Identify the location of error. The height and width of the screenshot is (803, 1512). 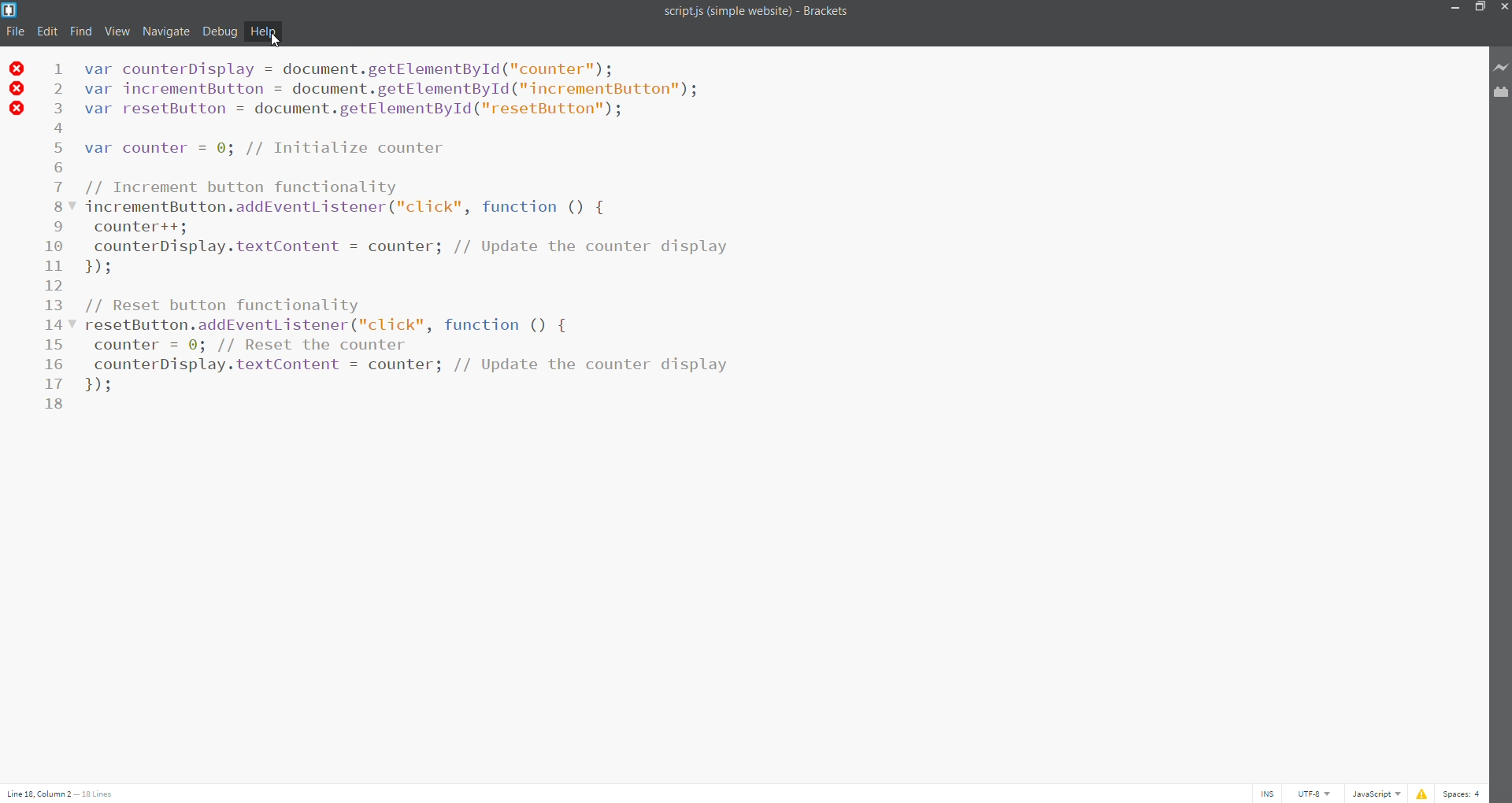
(1421, 792).